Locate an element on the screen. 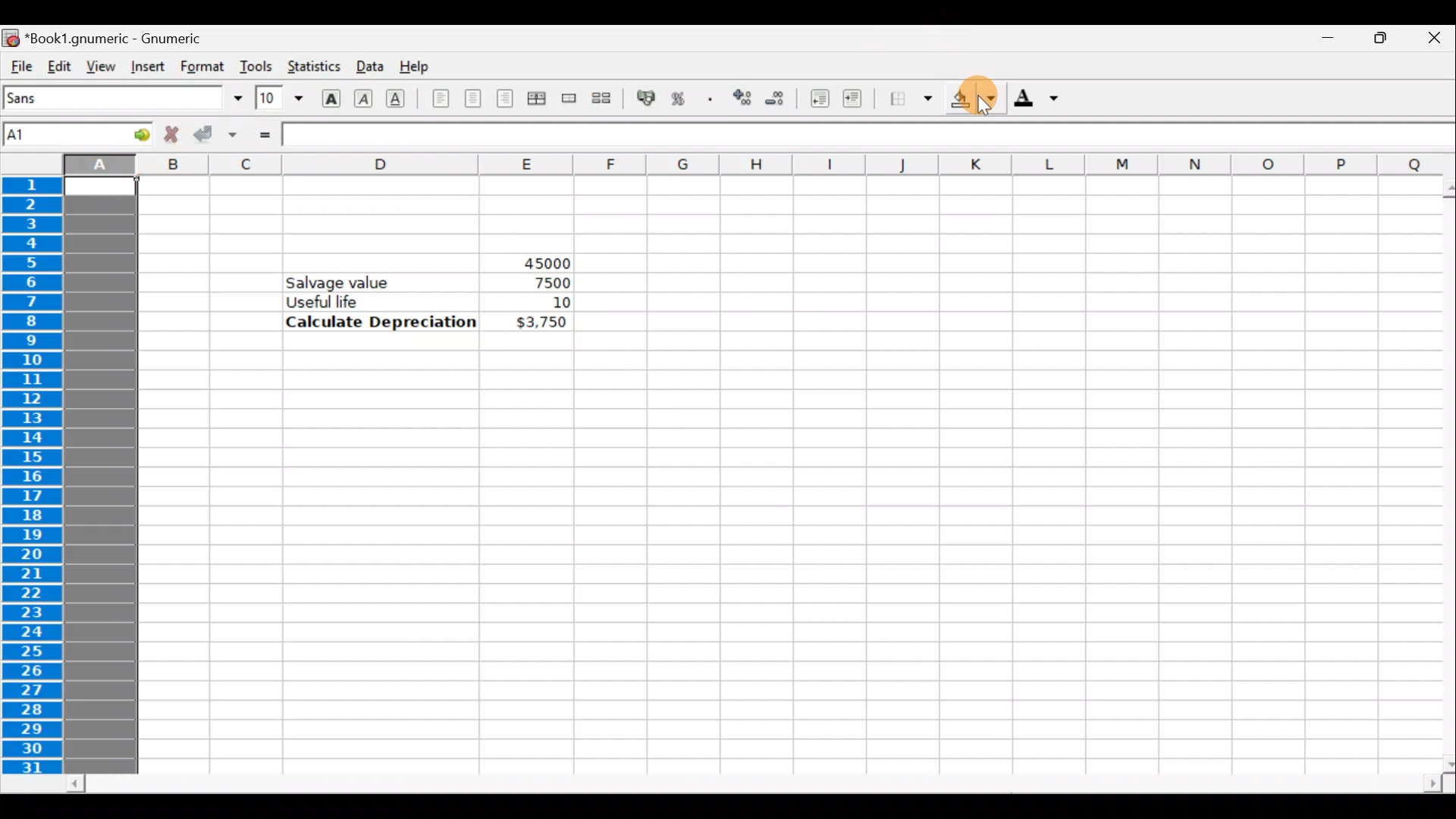 This screenshot has height=819, width=1456. Format the selection as accounting is located at coordinates (647, 100).